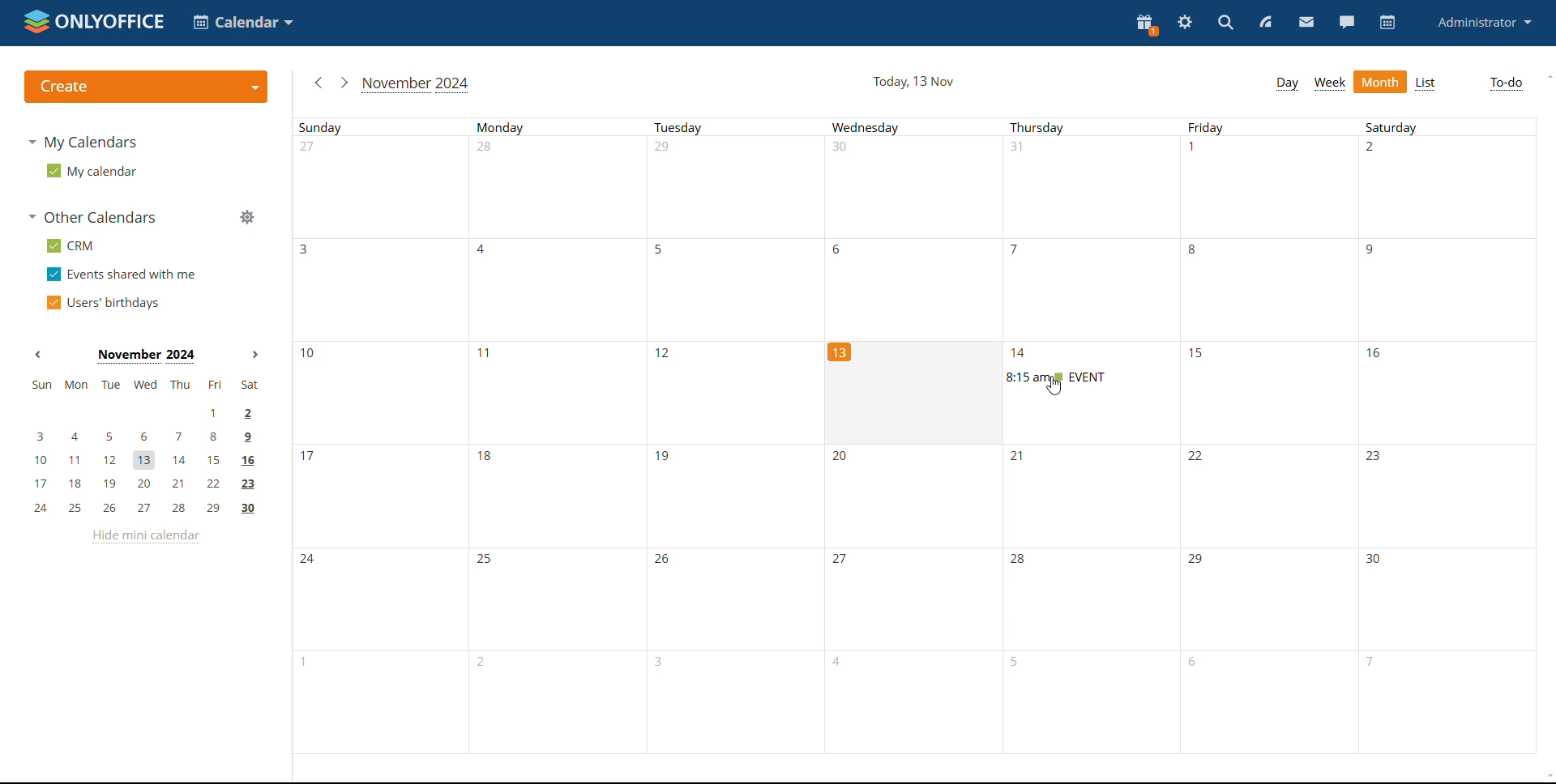  What do you see at coordinates (242, 22) in the screenshot?
I see `select application` at bounding box center [242, 22].